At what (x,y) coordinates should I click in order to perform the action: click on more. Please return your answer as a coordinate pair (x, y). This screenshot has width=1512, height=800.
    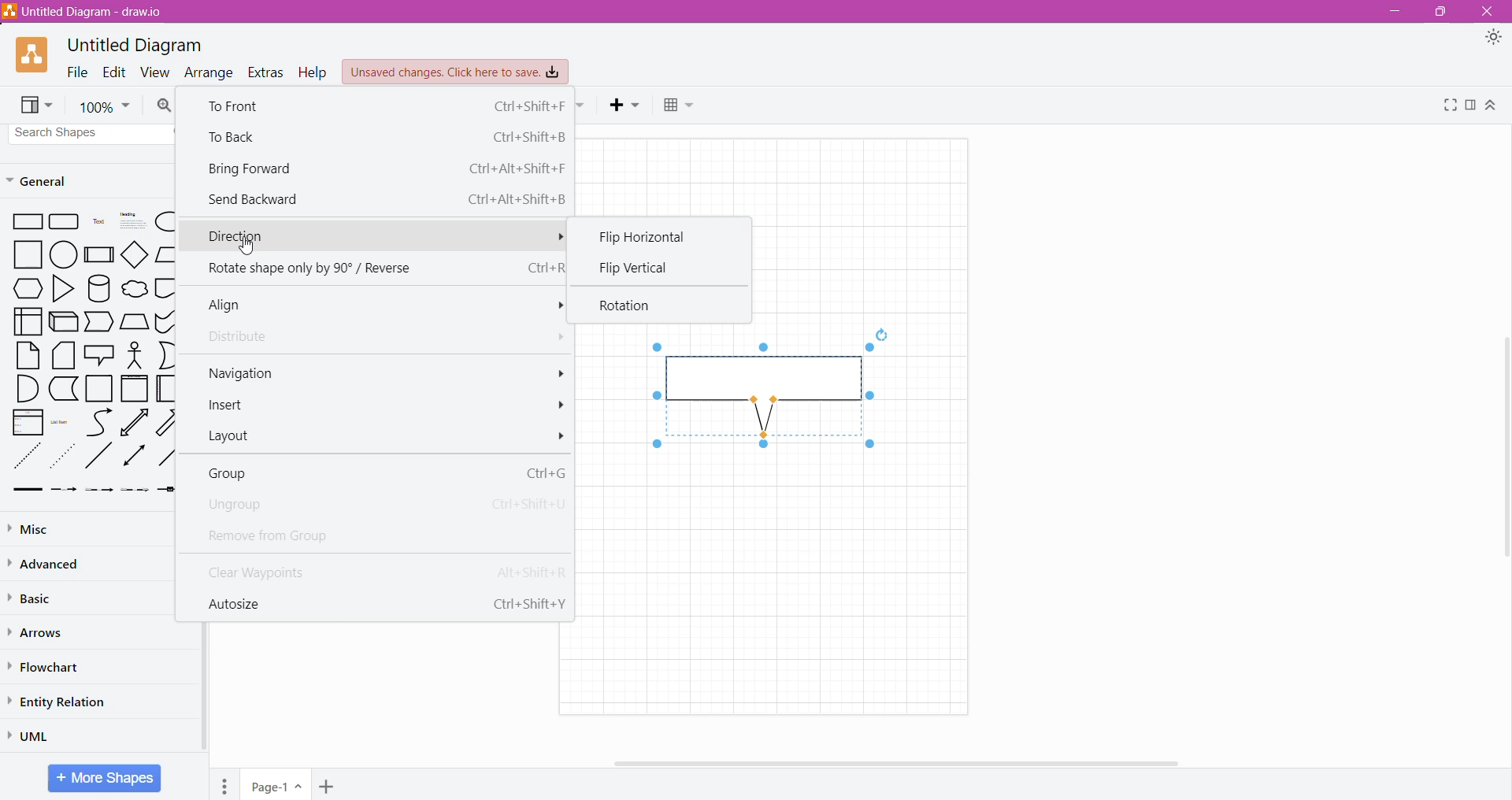
    Looking at the image, I should click on (562, 436).